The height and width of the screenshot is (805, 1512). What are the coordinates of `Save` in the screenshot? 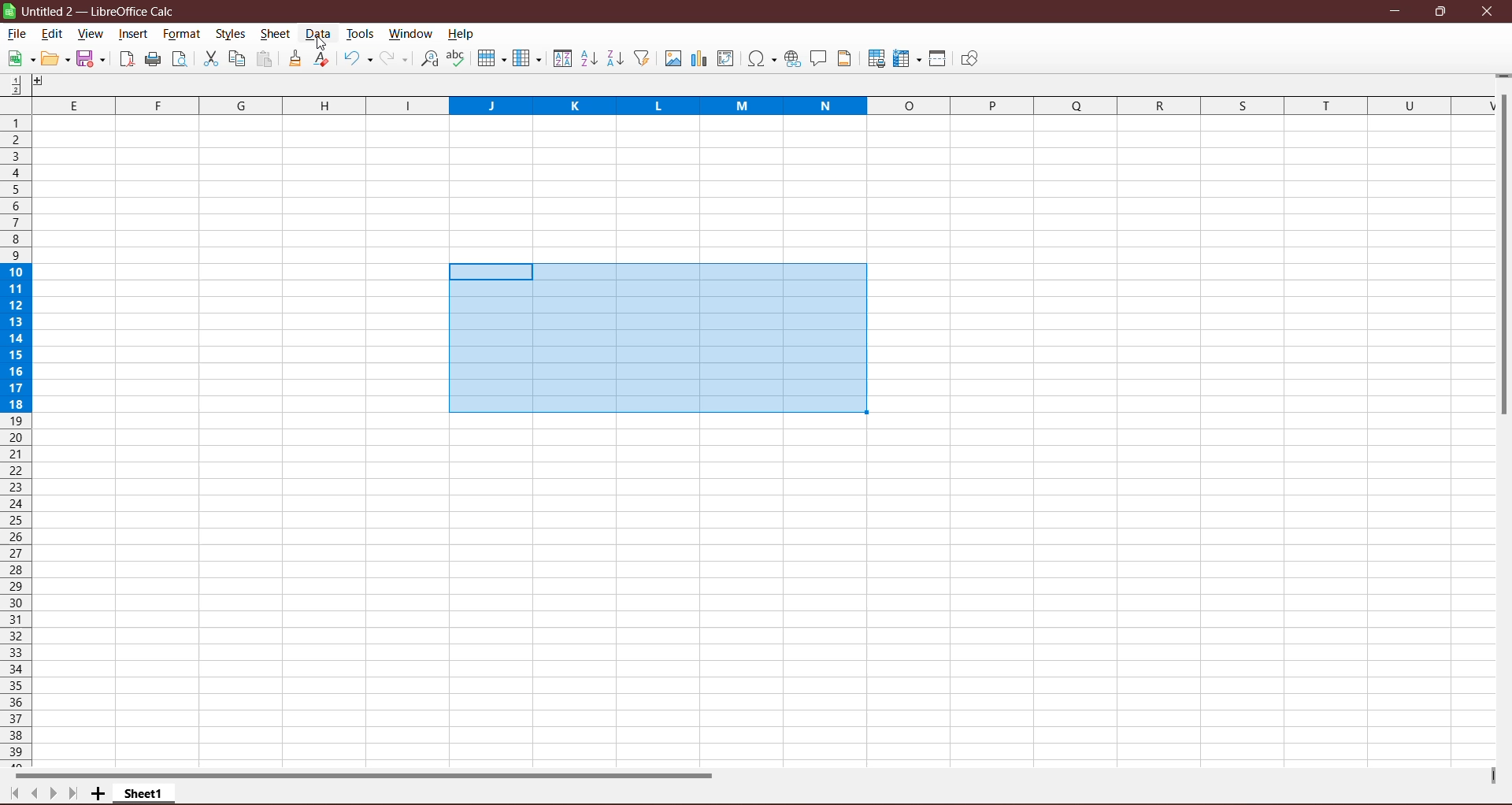 It's located at (93, 60).